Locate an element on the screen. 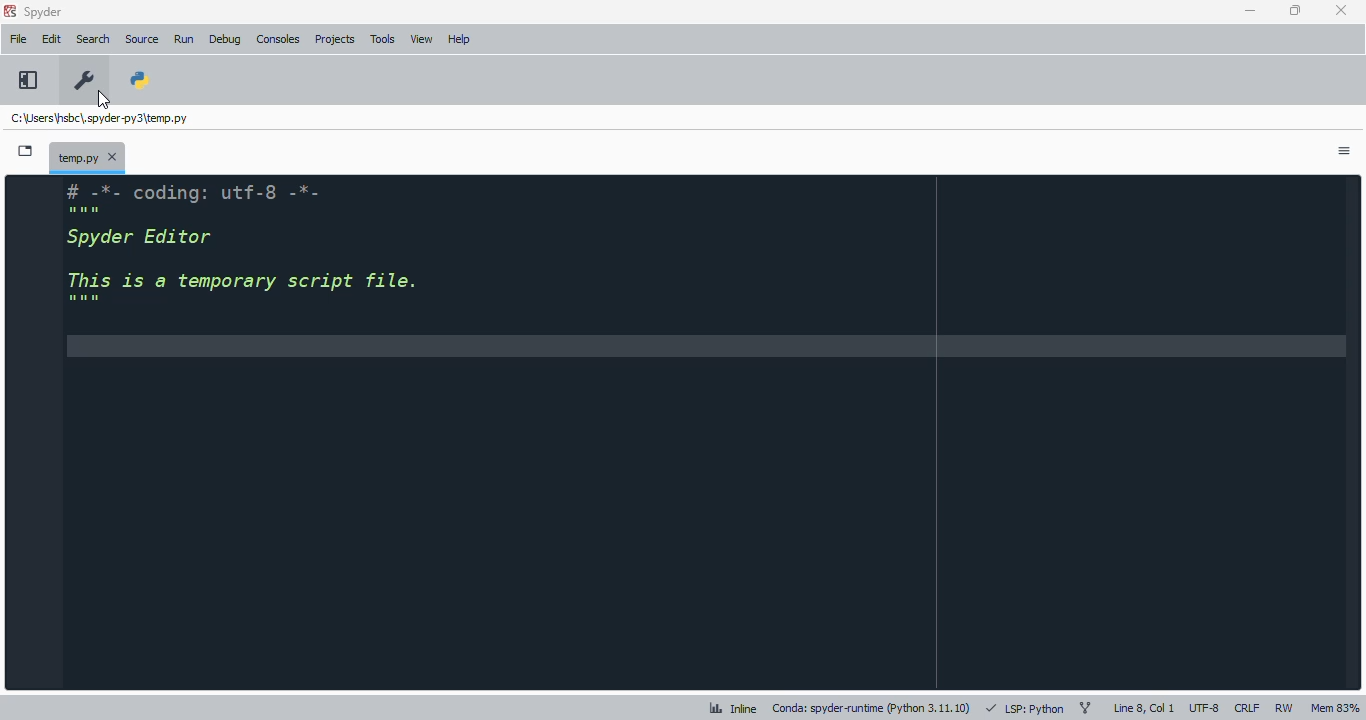 The height and width of the screenshot is (720, 1366). line 8, col 8 is located at coordinates (1144, 707).